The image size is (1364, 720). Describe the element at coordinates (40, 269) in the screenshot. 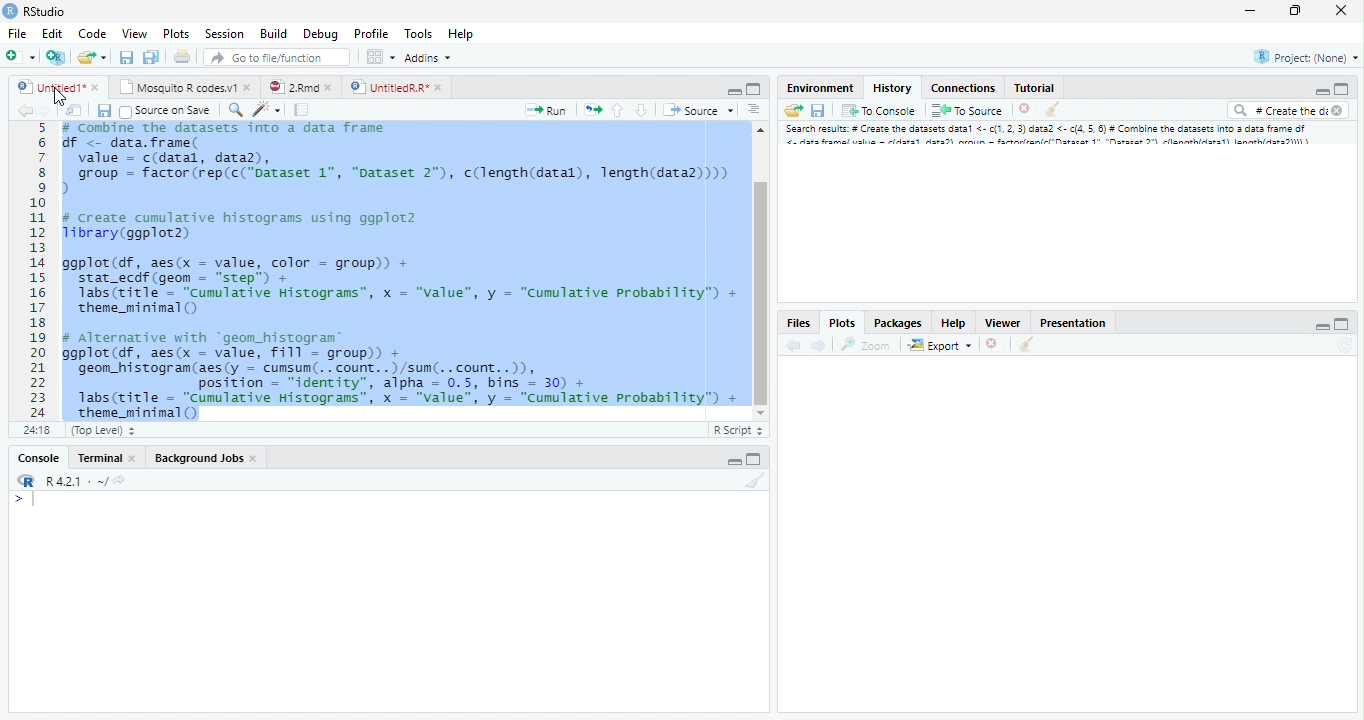

I see `Numbers` at that location.